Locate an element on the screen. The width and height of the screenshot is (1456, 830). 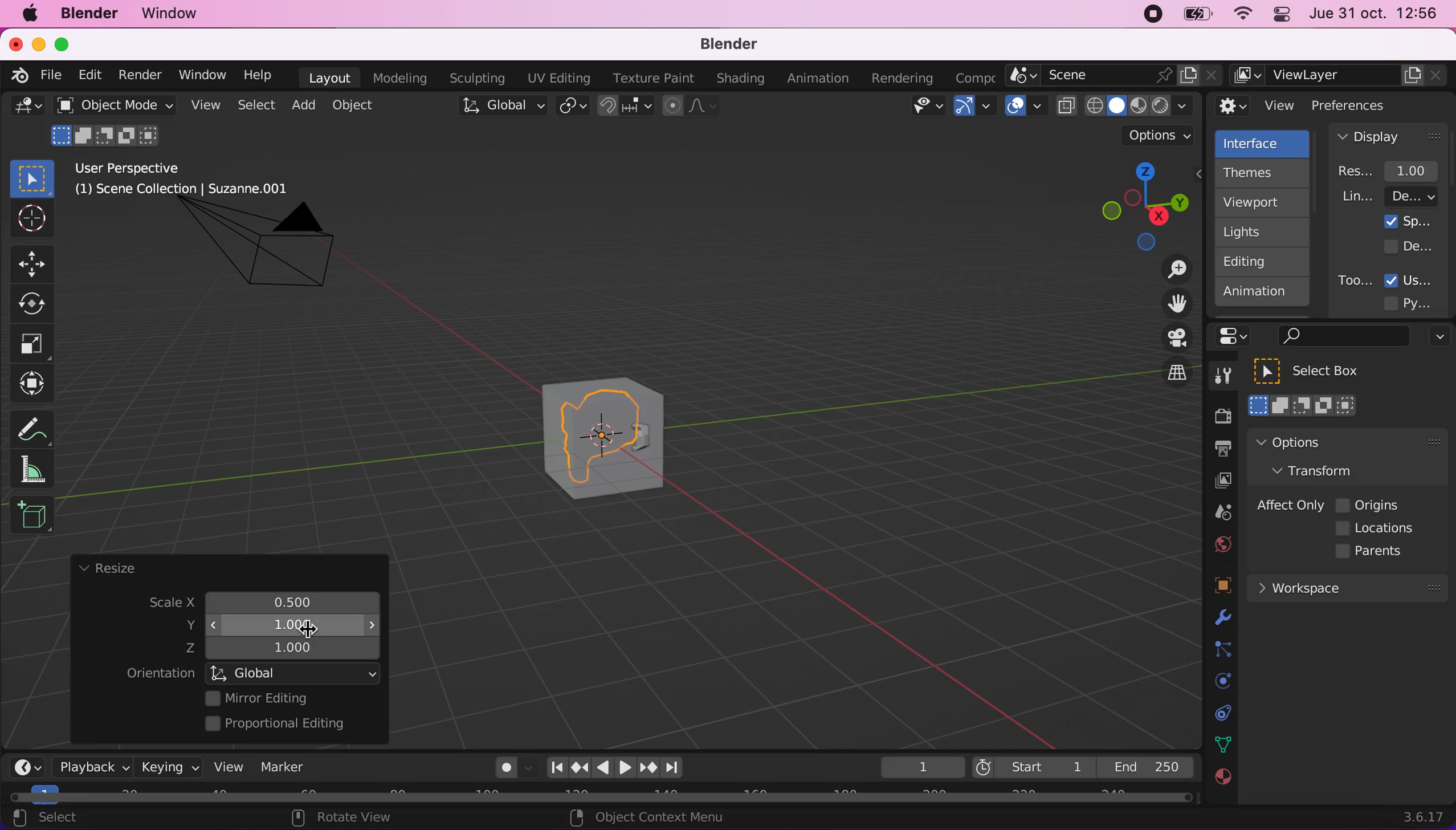
switch the current view is located at coordinates (1165, 383).